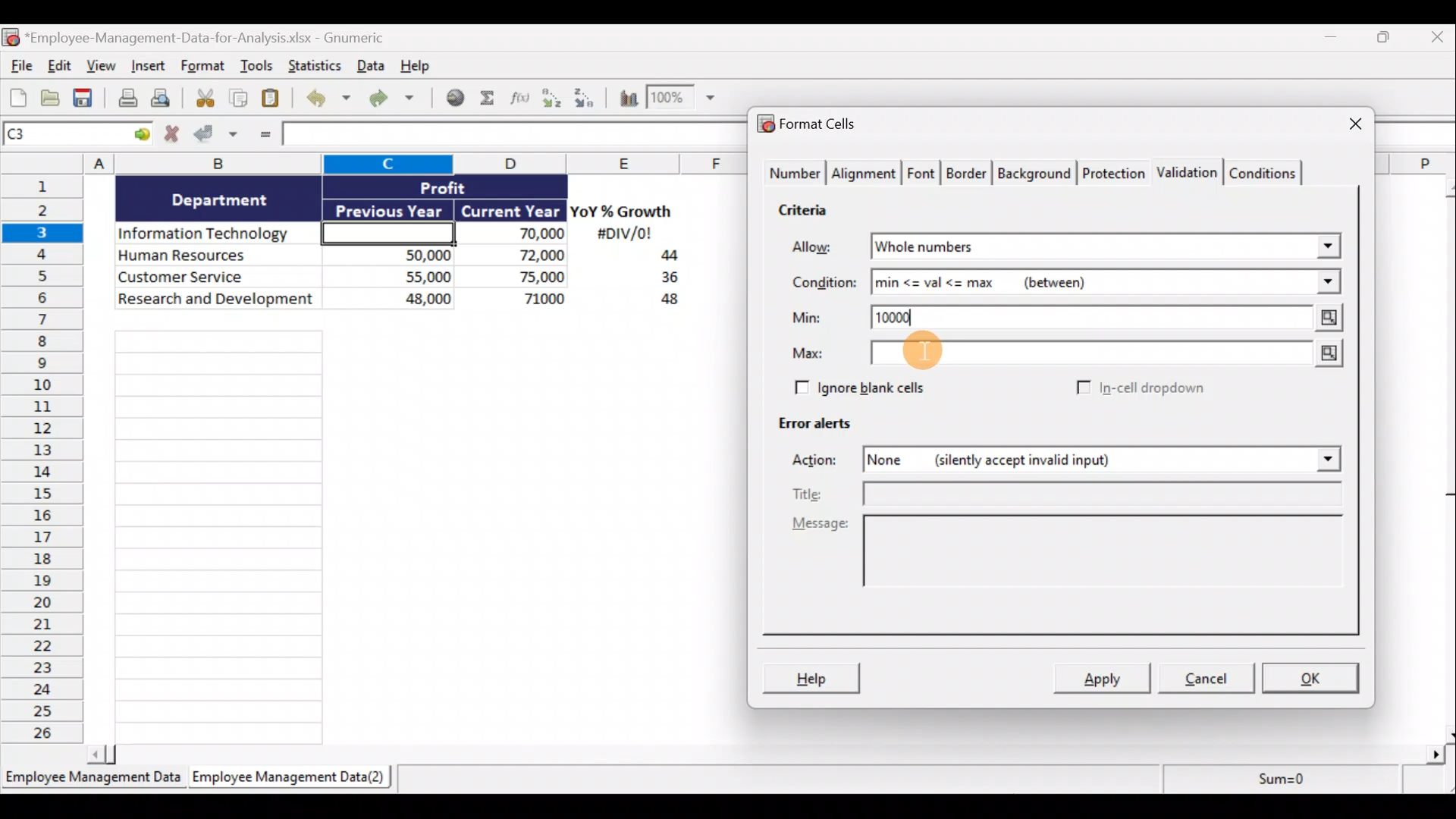 The width and height of the screenshot is (1456, 819). Describe the element at coordinates (47, 462) in the screenshot. I see `Rows` at that location.